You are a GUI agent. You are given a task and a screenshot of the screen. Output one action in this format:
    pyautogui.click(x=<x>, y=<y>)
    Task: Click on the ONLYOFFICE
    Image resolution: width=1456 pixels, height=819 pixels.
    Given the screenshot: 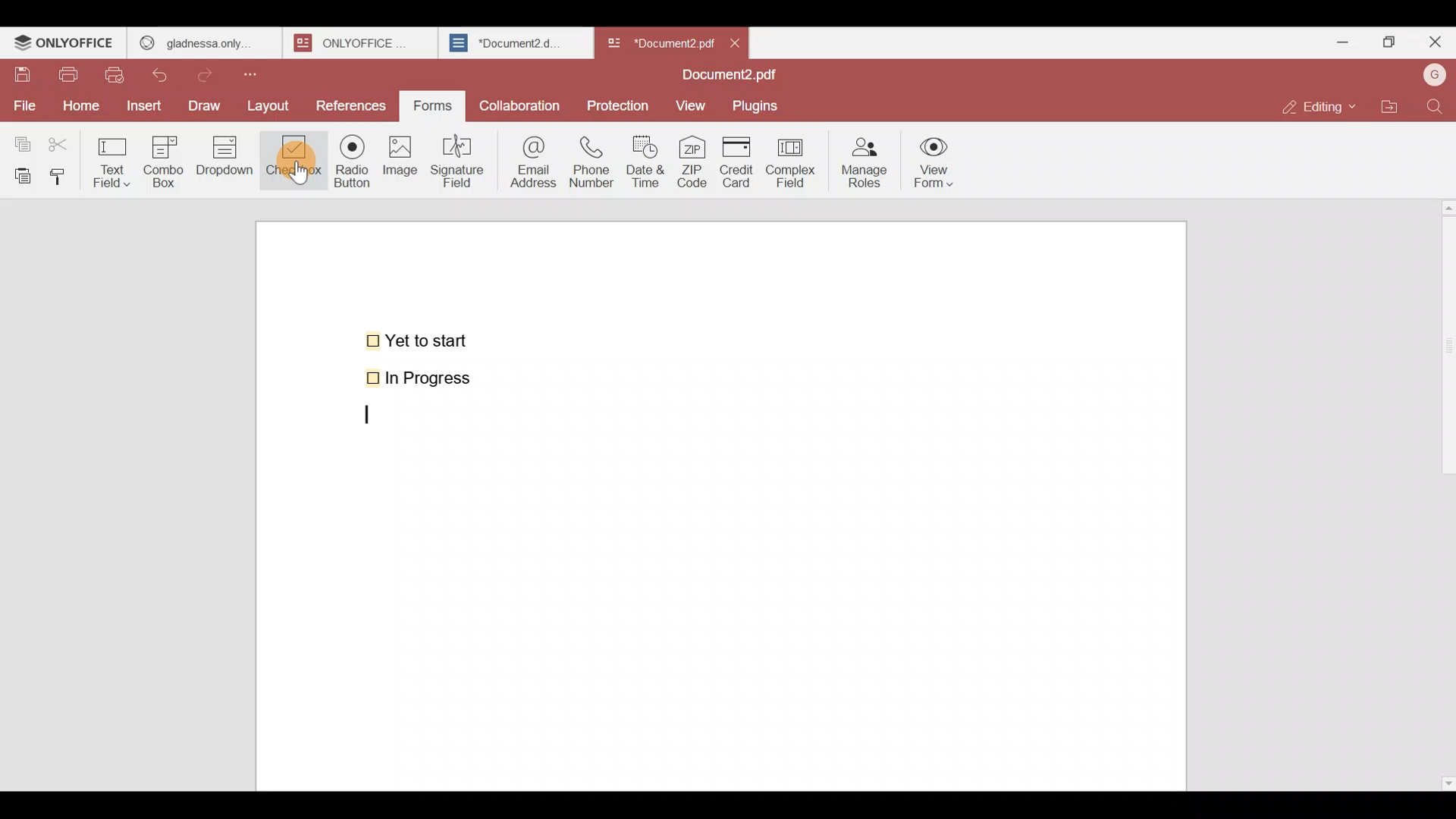 What is the action you would take?
    pyautogui.click(x=64, y=45)
    